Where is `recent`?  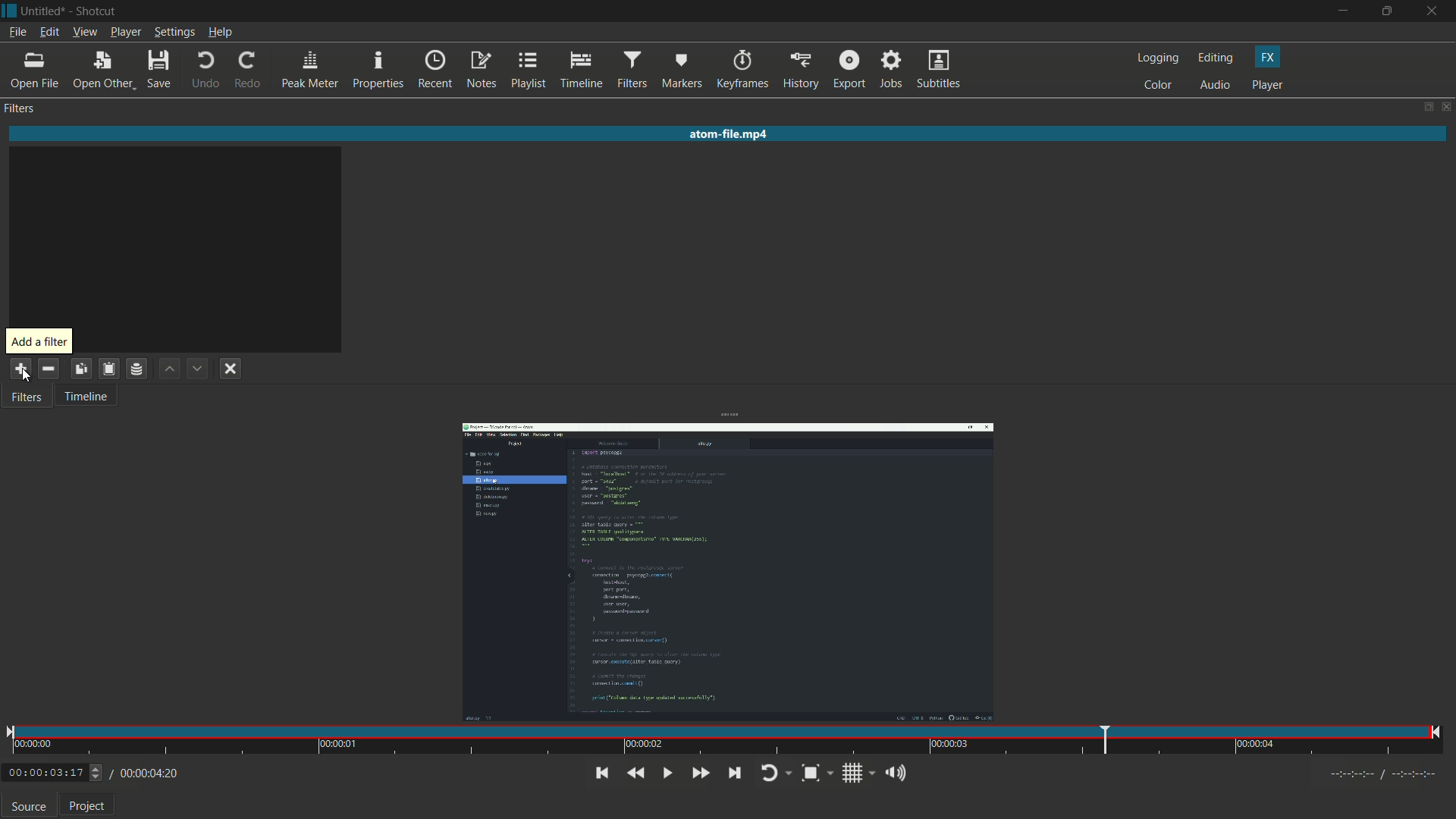 recent is located at coordinates (436, 71).